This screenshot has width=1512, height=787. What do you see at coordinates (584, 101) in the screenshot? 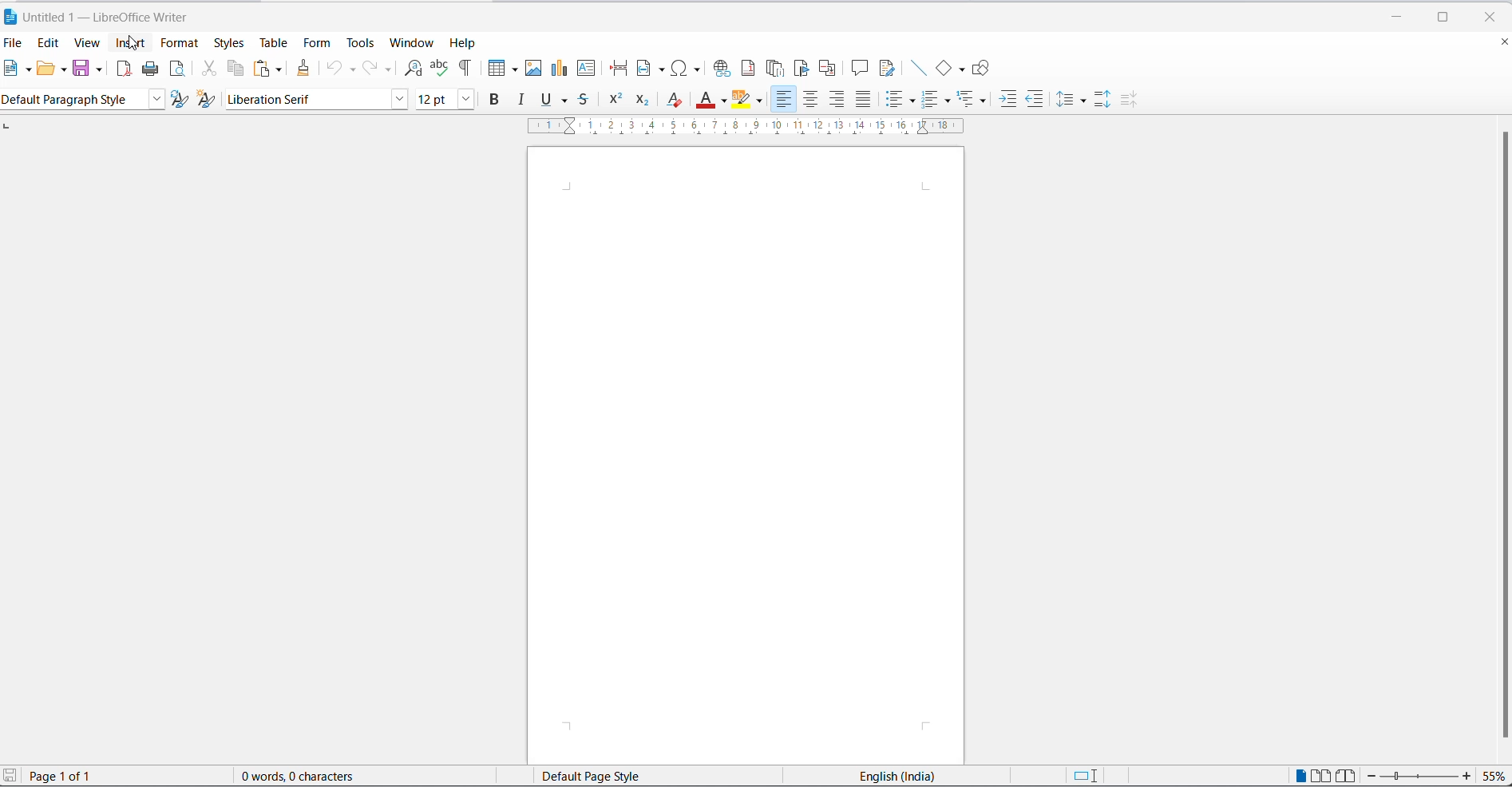
I see `strike through` at bounding box center [584, 101].